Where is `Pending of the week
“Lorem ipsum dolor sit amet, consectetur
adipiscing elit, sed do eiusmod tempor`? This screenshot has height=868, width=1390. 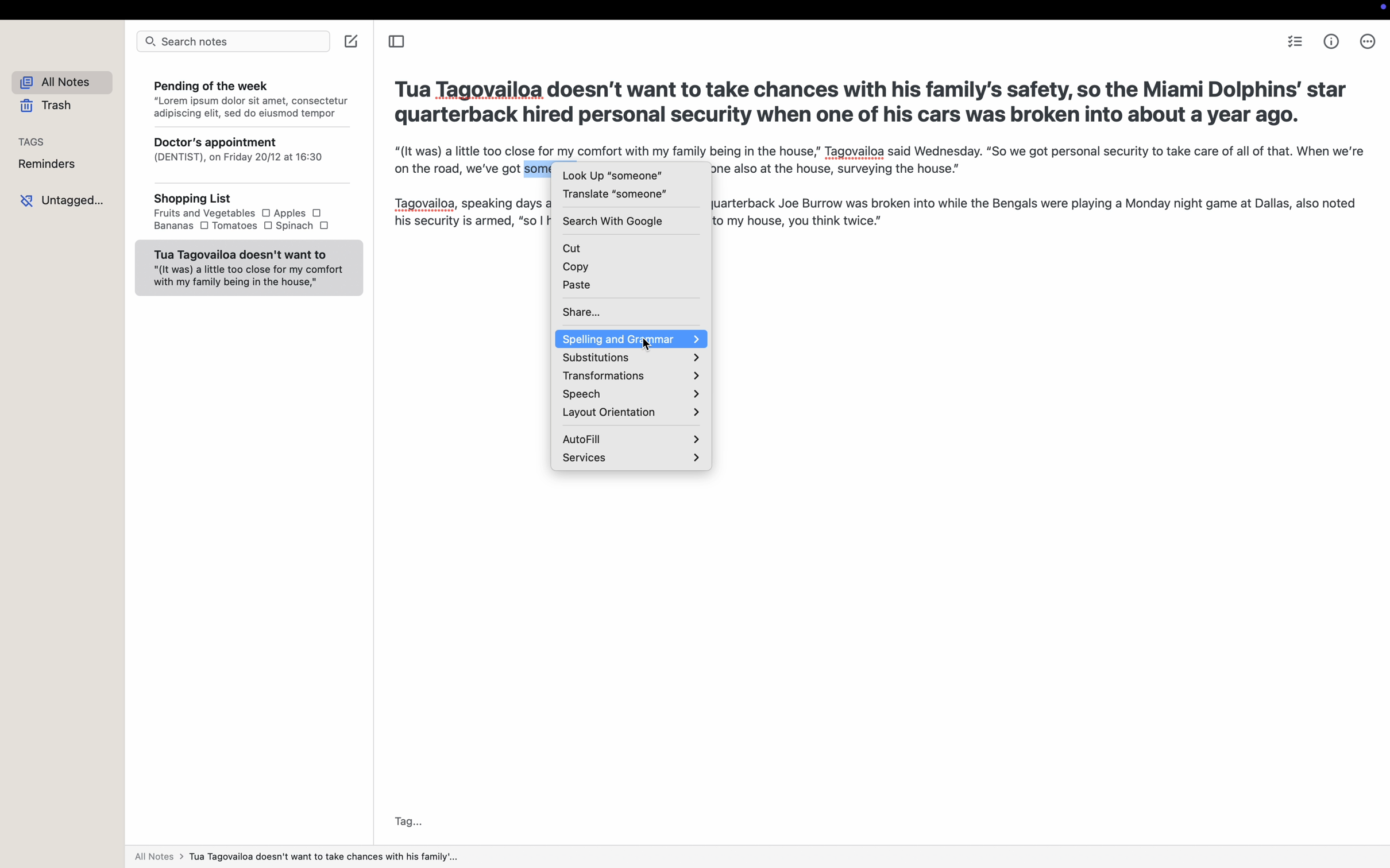 Pending of the week
“Lorem ipsum dolor sit amet, consectetur
adipiscing elit, sed do eiusmod tempor is located at coordinates (249, 97).